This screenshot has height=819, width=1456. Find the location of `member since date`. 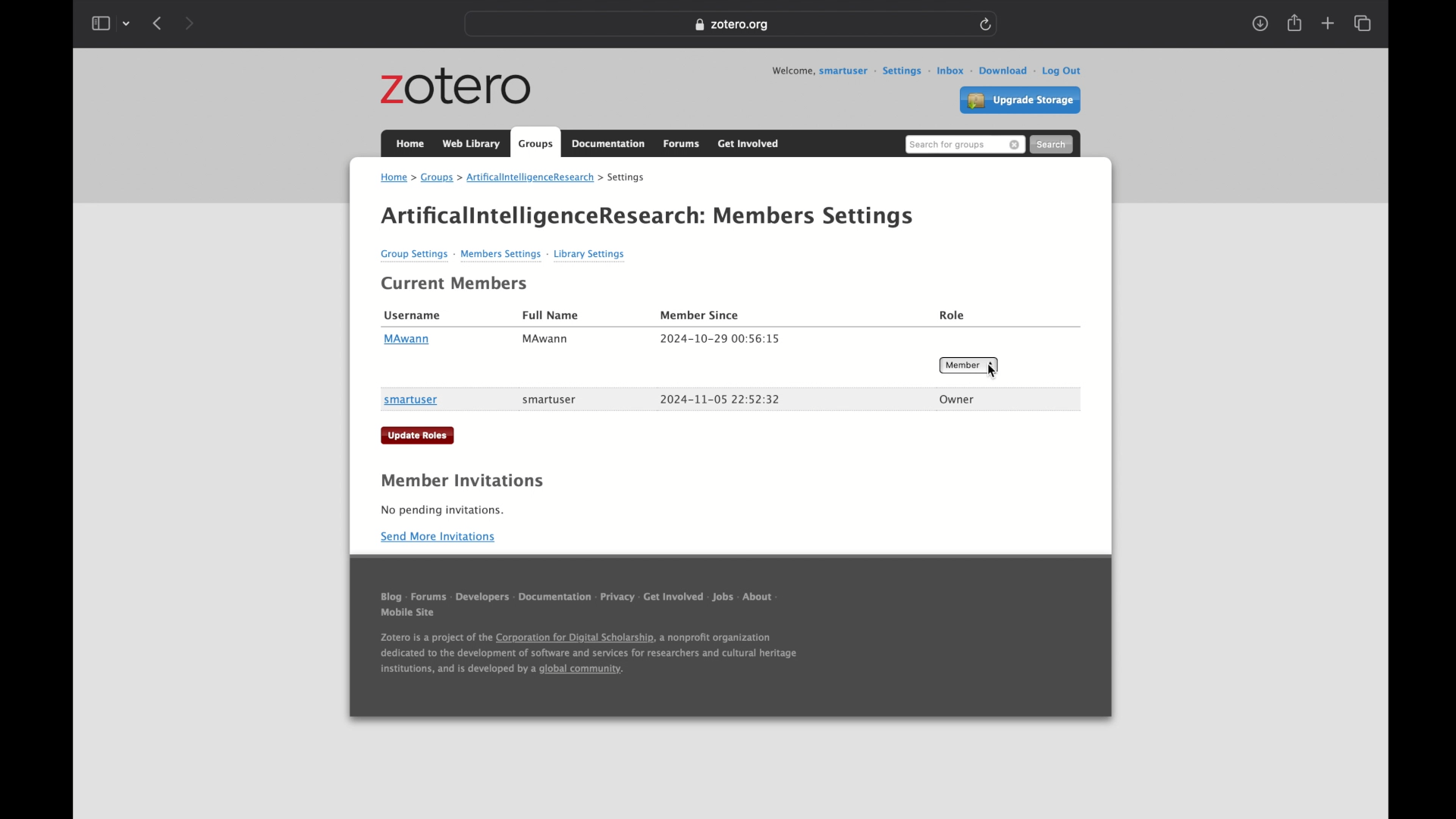

member since date is located at coordinates (720, 339).